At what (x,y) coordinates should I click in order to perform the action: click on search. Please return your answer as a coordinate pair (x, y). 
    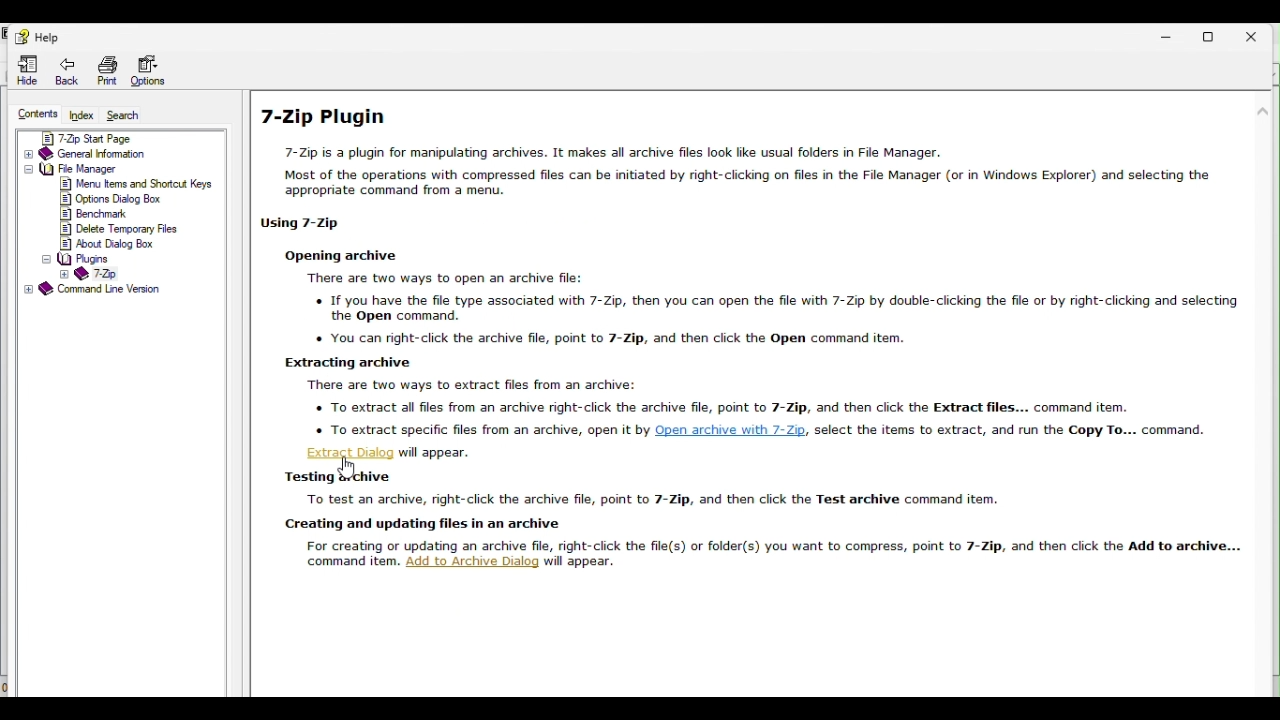
    Looking at the image, I should click on (131, 117).